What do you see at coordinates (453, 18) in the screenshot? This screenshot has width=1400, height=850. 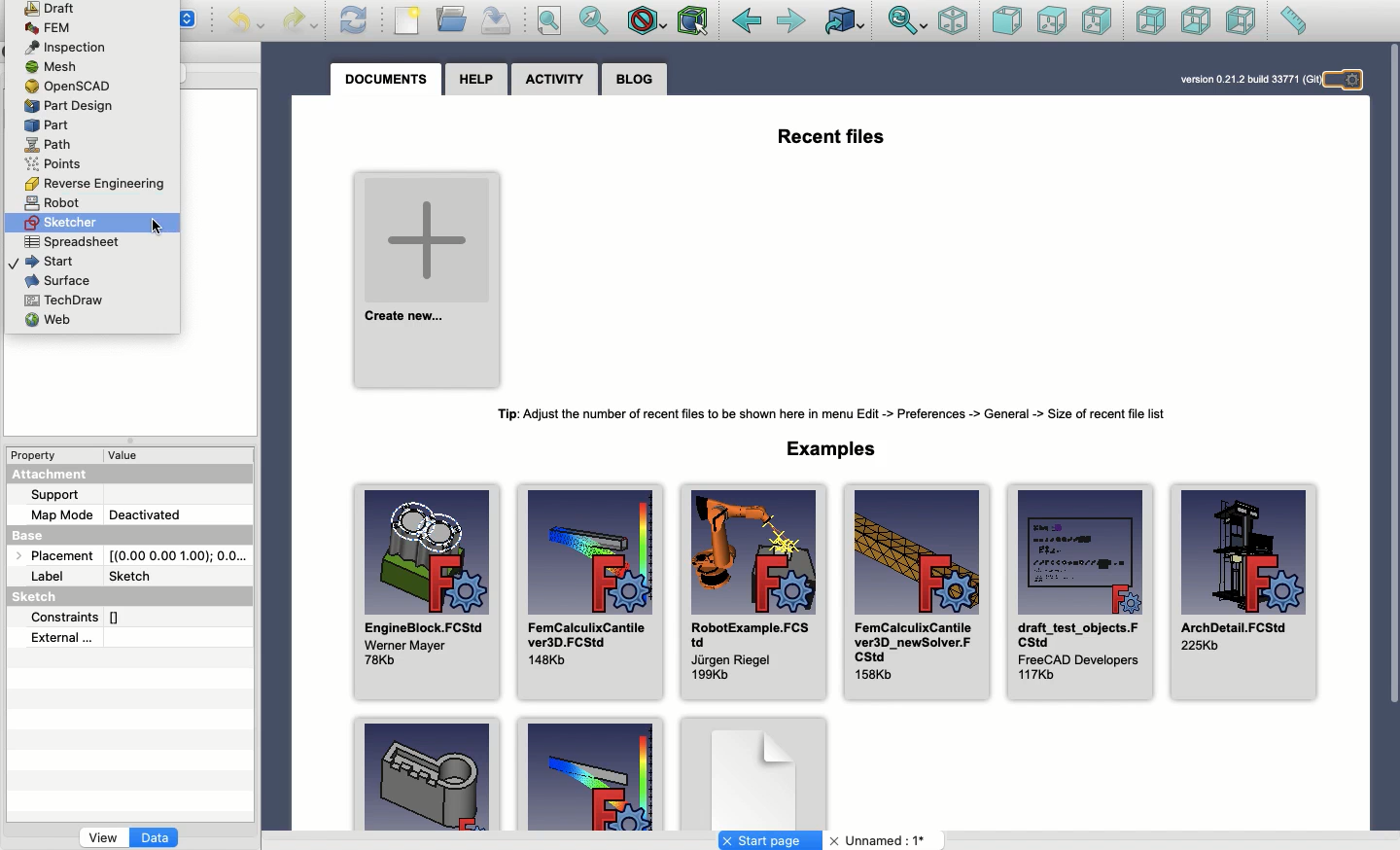 I see `Open` at bounding box center [453, 18].